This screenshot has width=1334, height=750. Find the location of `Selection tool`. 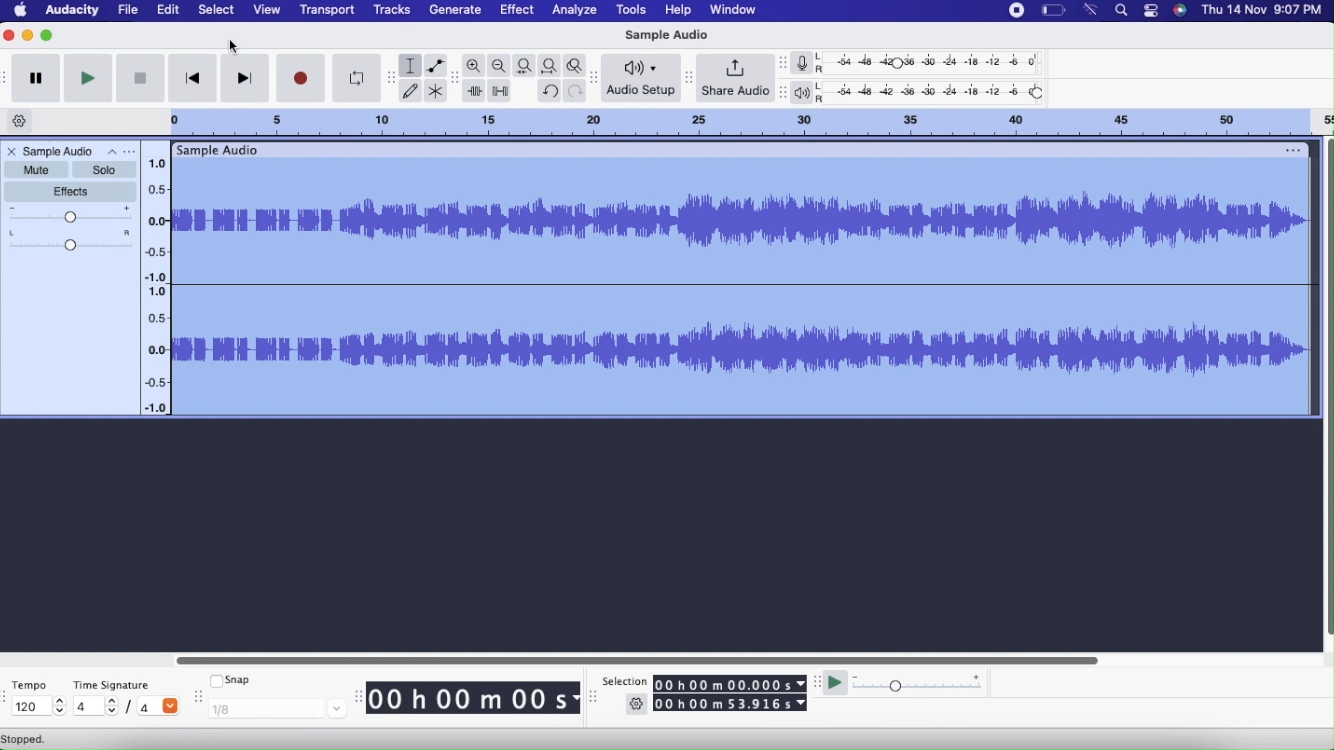

Selection tool is located at coordinates (412, 64).